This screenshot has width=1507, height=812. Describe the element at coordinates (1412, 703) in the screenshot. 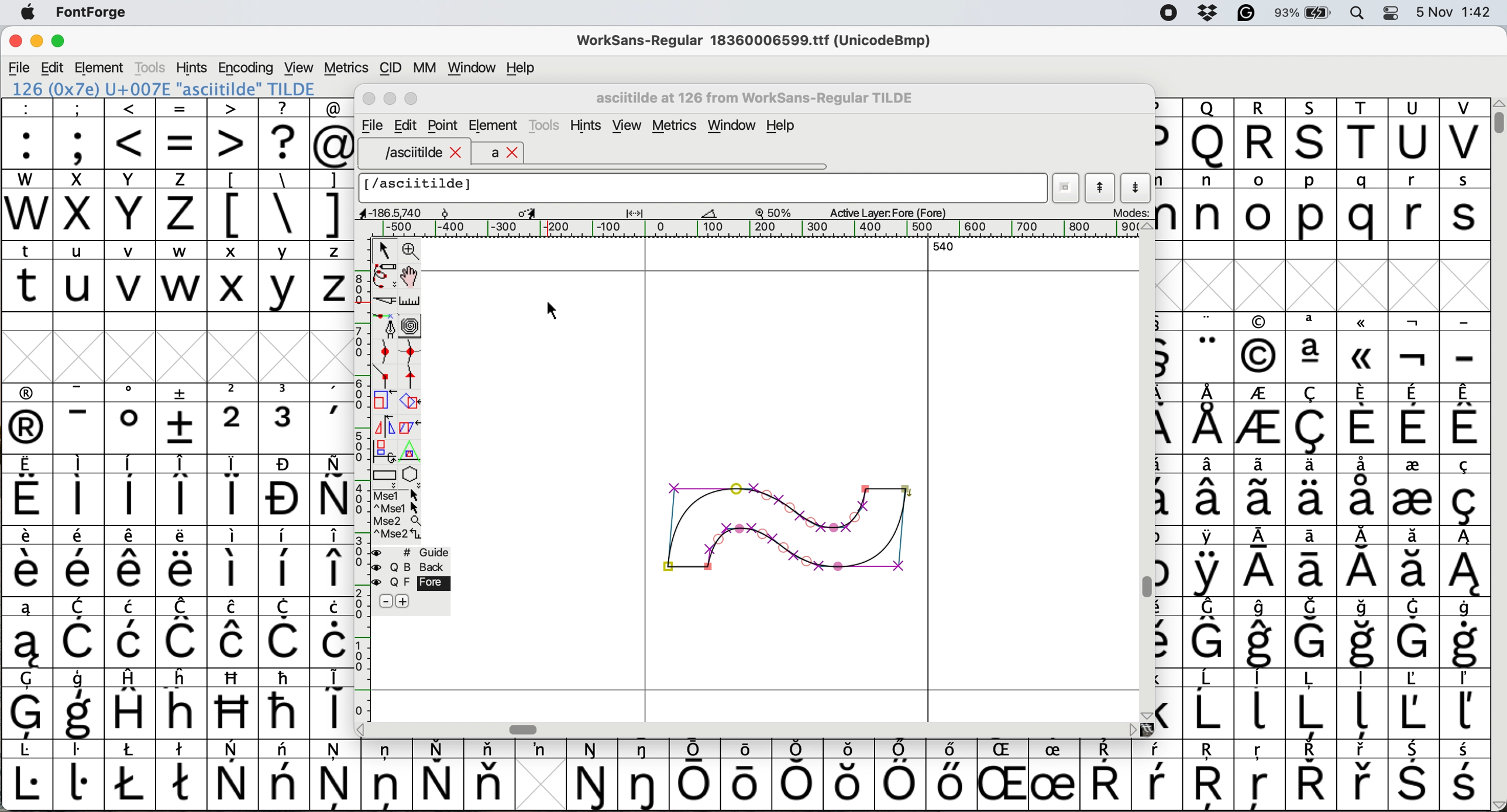

I see `symbol` at that location.